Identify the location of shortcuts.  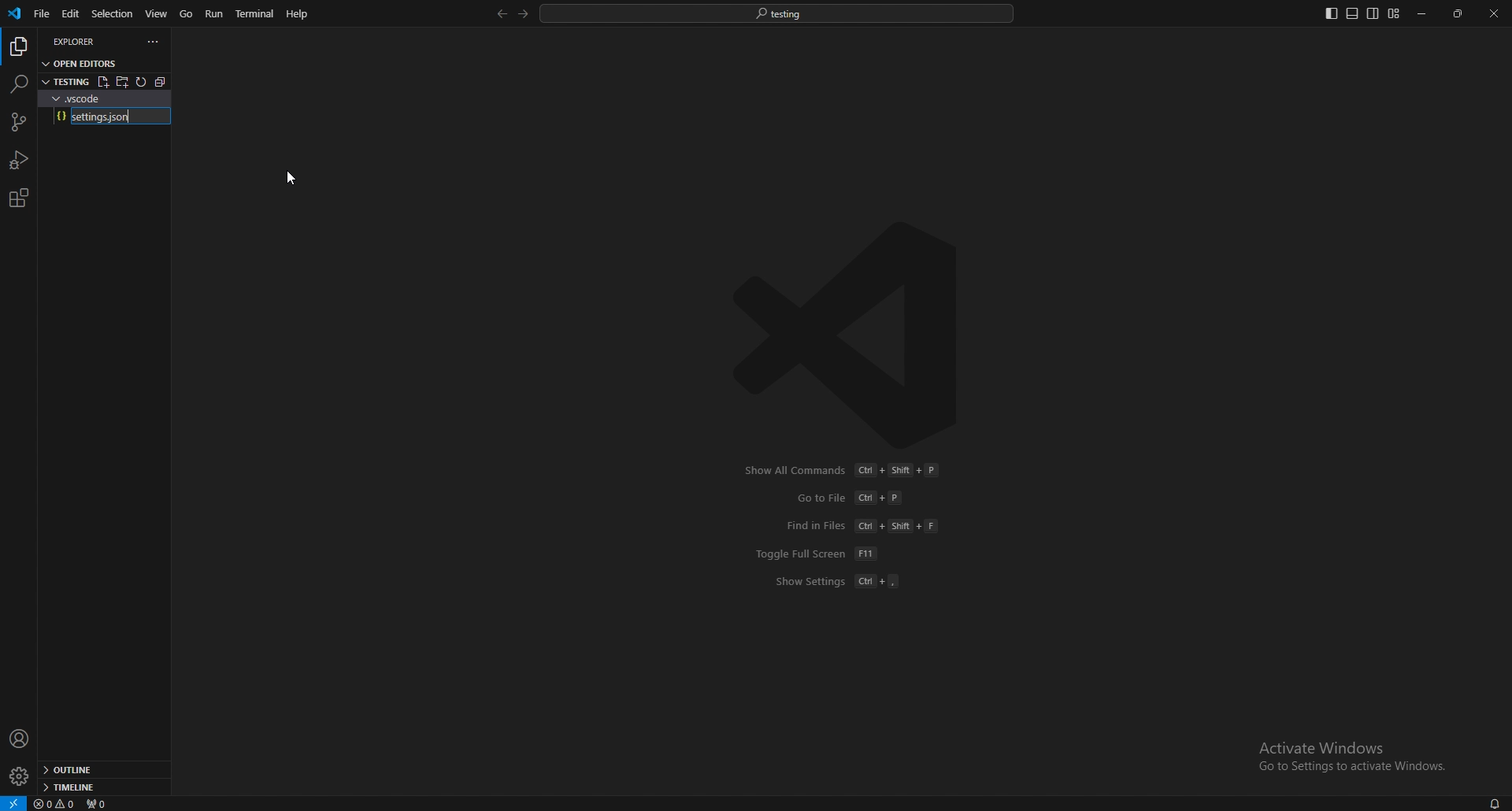
(849, 526).